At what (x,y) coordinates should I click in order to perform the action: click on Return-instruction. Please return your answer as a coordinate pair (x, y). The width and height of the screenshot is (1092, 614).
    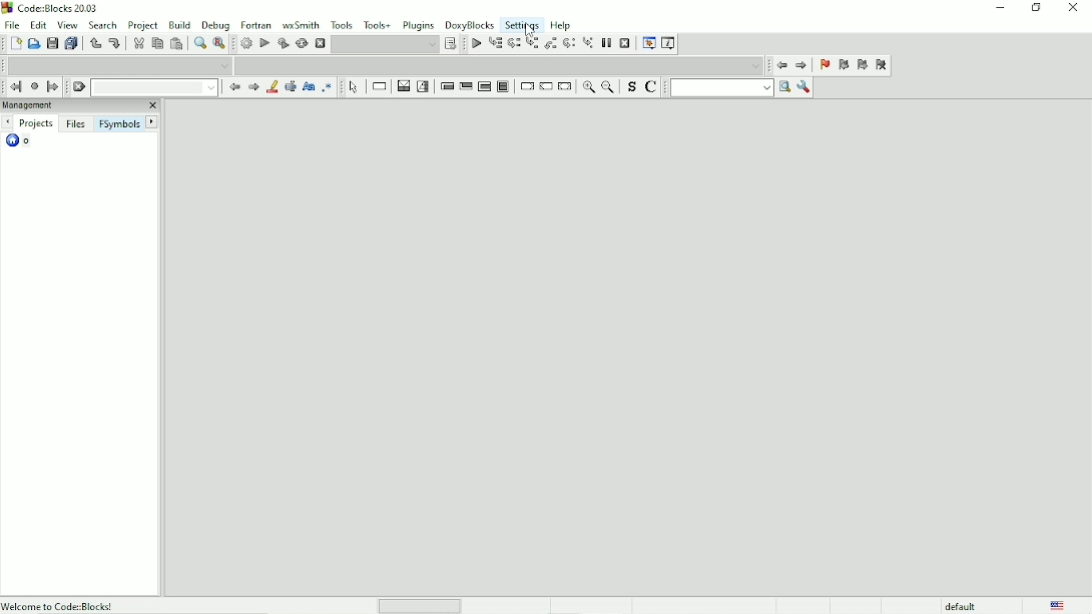
    Looking at the image, I should click on (566, 87).